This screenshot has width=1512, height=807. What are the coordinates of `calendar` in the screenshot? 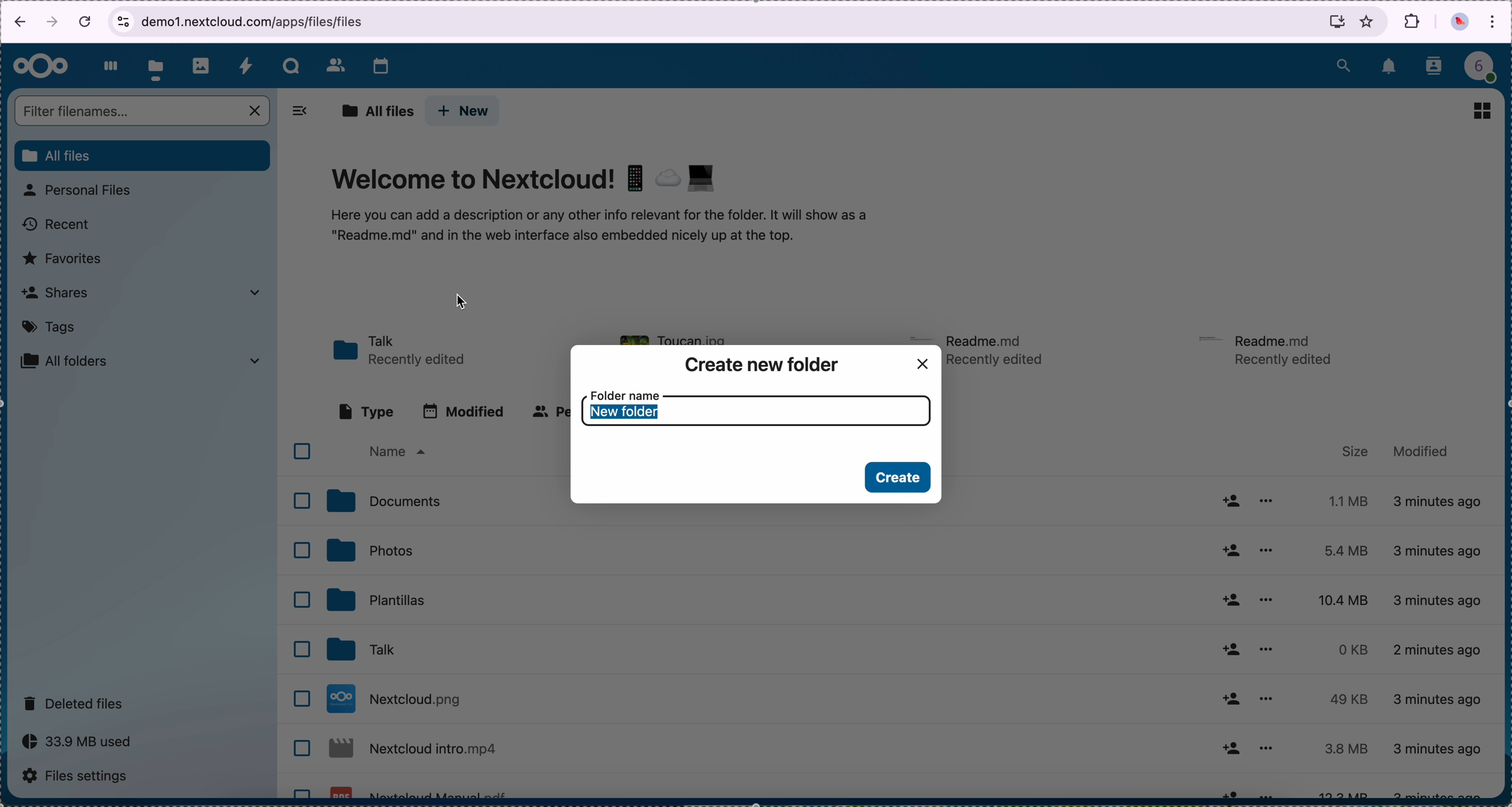 It's located at (380, 67).